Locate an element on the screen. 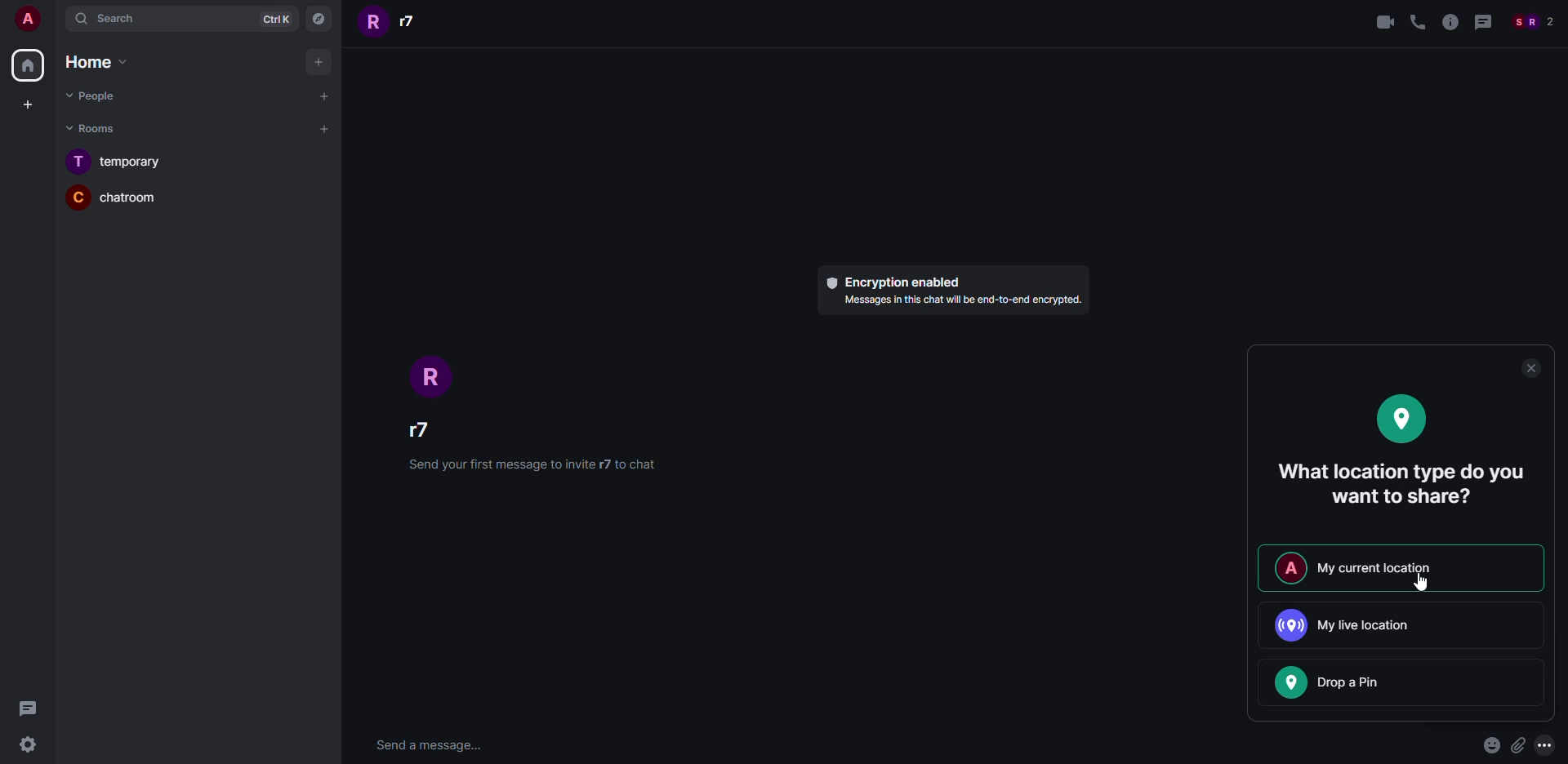 The height and width of the screenshot is (764, 1568). what location is located at coordinates (1404, 485).